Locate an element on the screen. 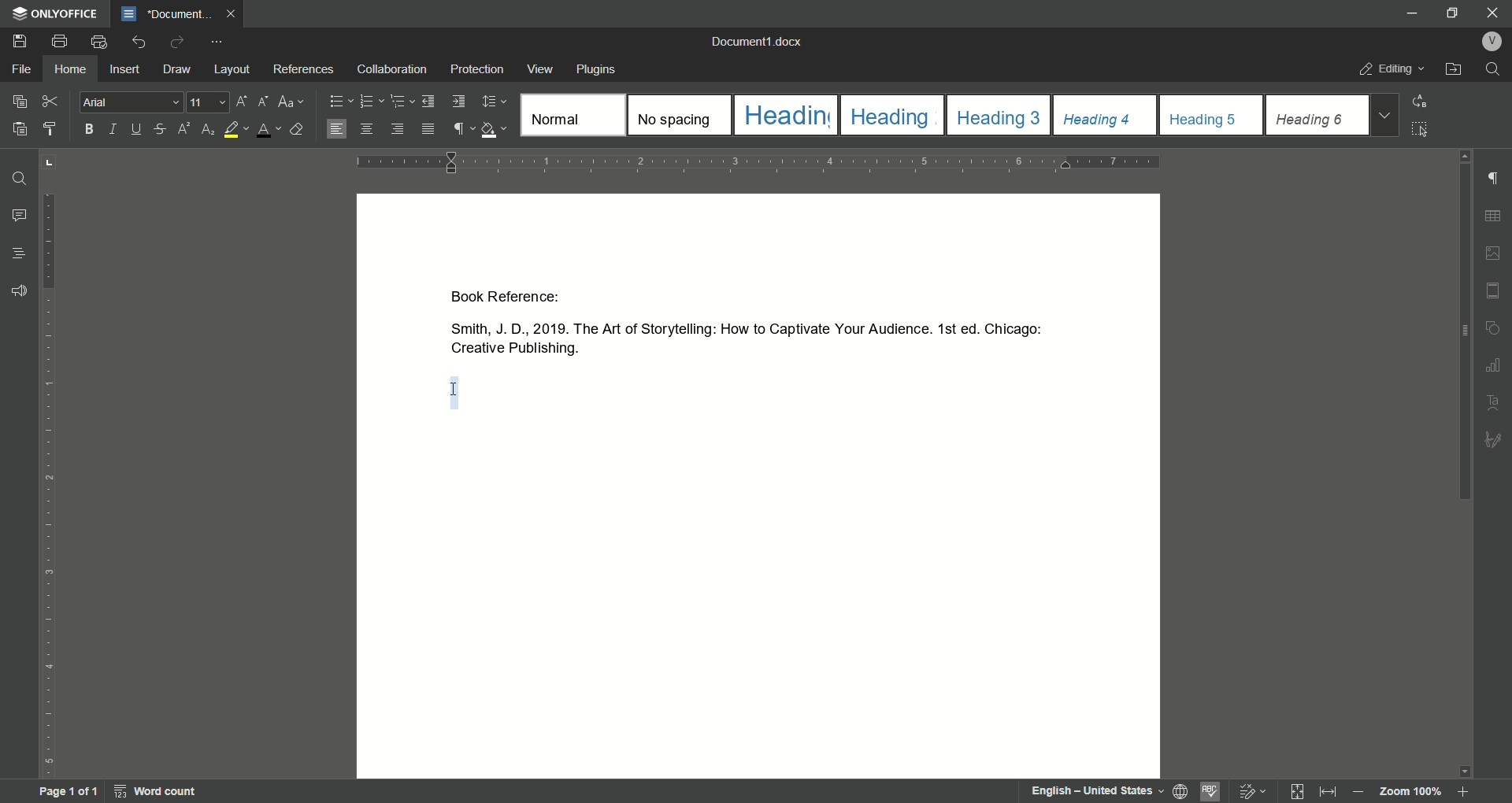 The width and height of the screenshot is (1512, 803). document title is located at coordinates (164, 14).